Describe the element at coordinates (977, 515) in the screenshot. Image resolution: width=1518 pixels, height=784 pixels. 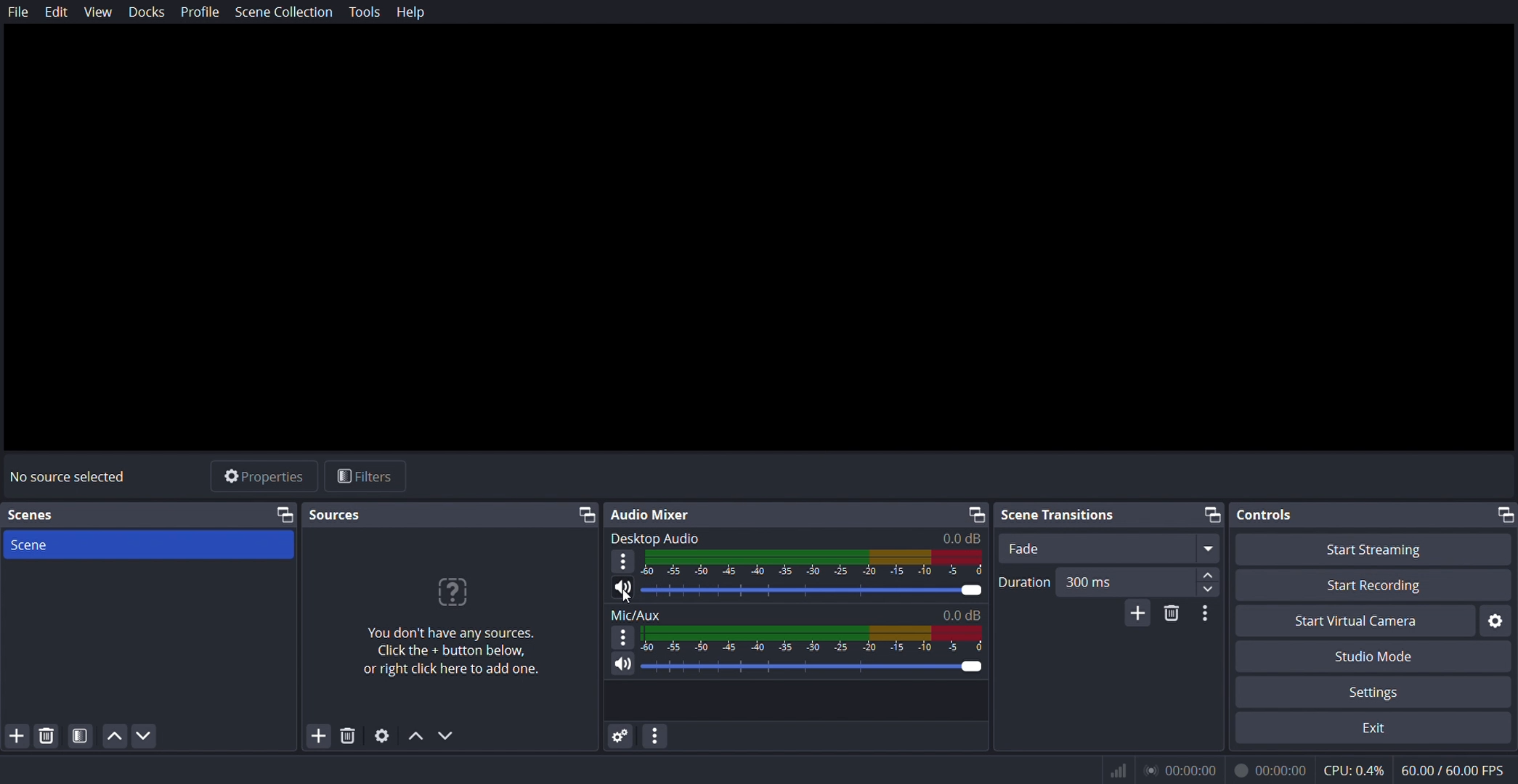
I see `restore` at that location.